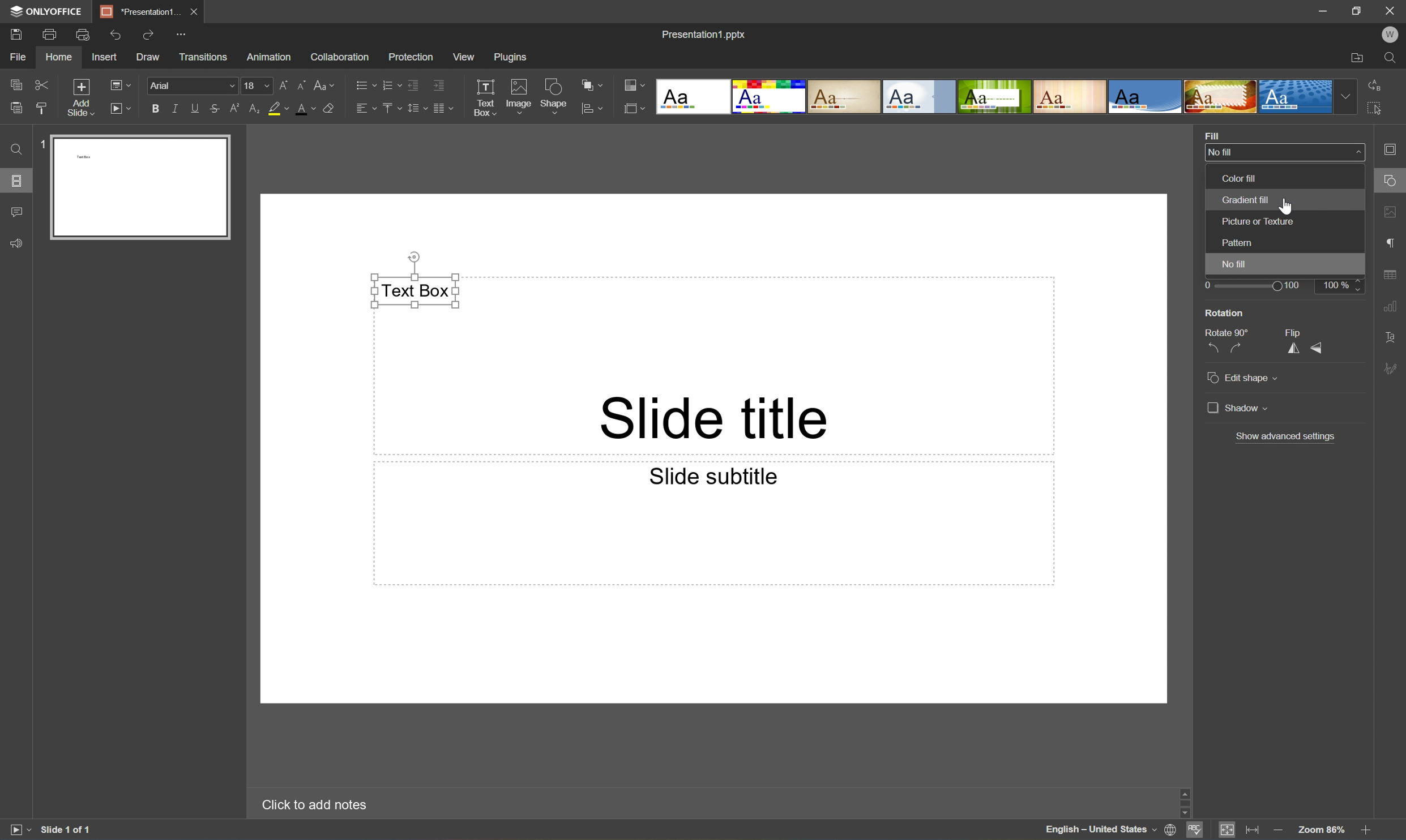 This screenshot has width=1406, height=840. I want to click on Change slide layout, so click(119, 84).